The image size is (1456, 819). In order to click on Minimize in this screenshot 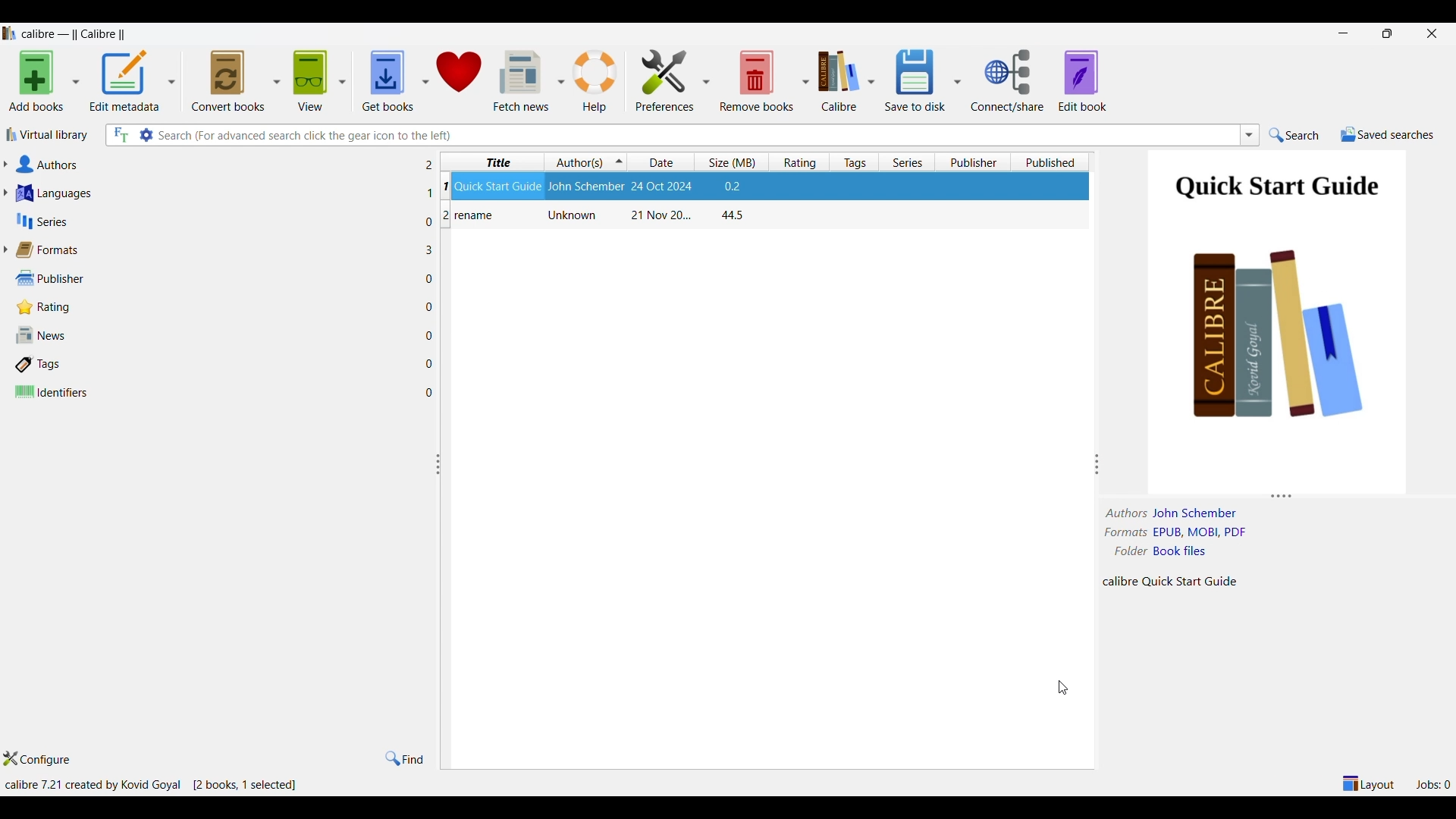, I will do `click(1343, 33)`.